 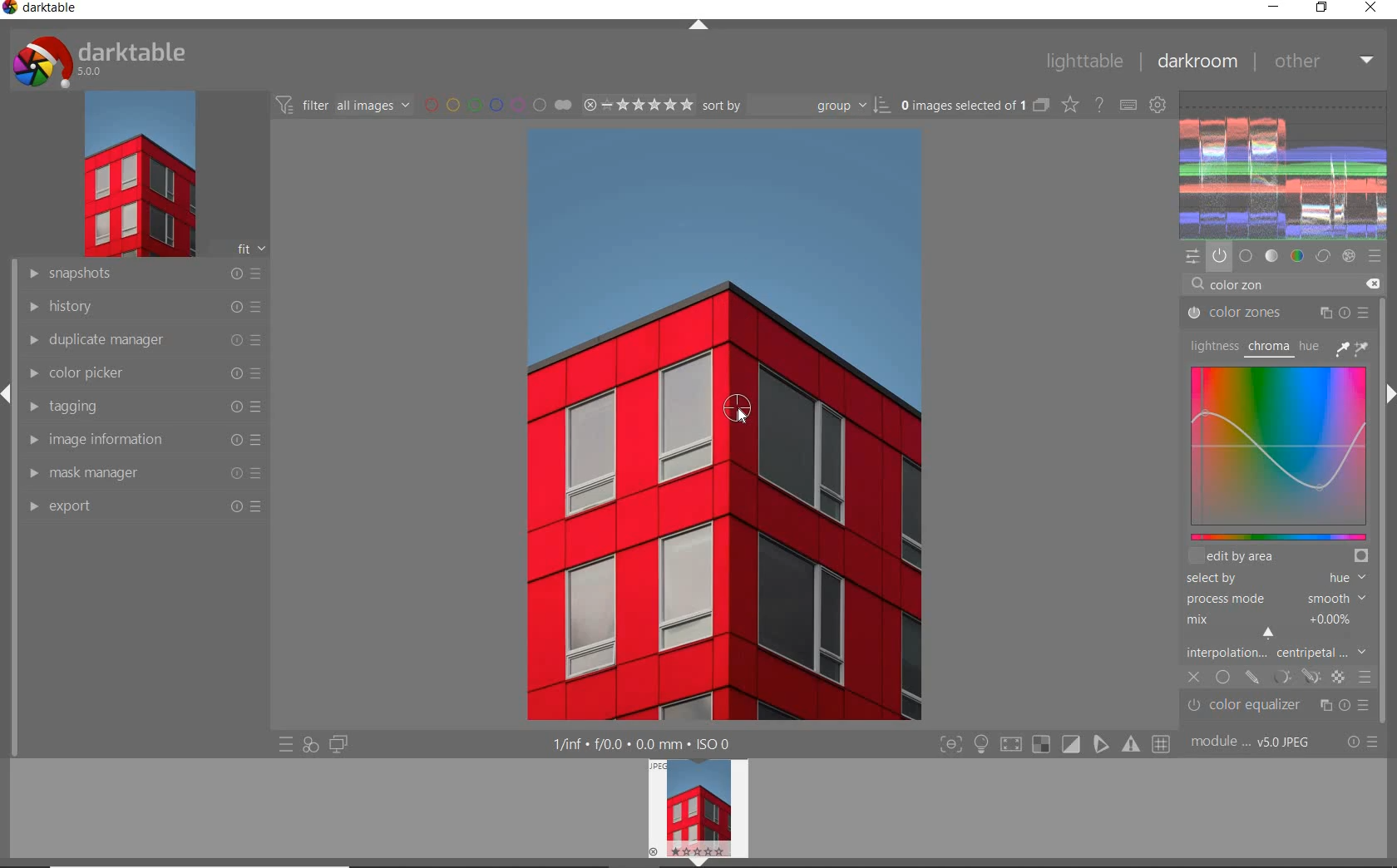 I want to click on UNIFORMLY, so click(x=1222, y=678).